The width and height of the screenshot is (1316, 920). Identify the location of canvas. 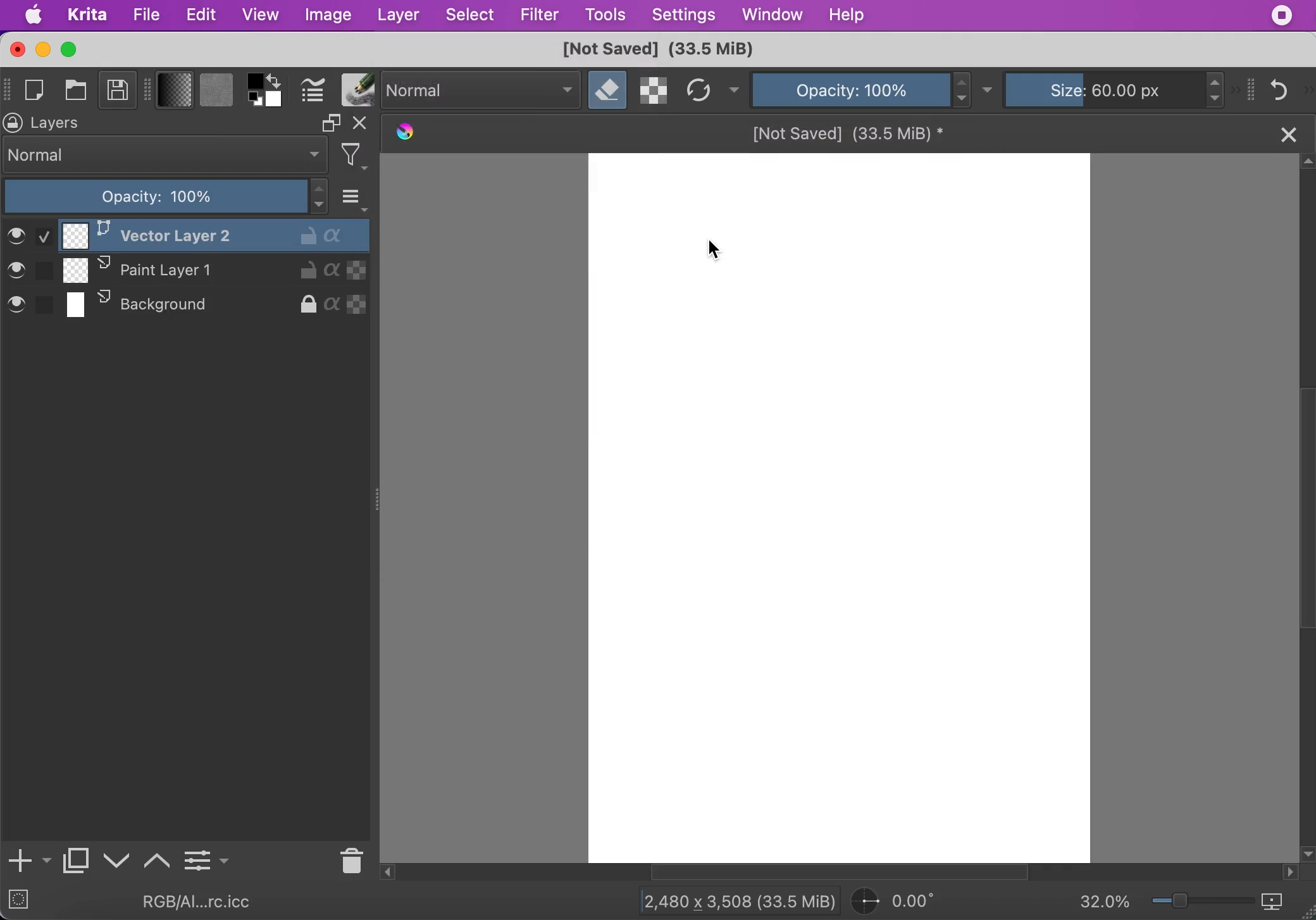
(835, 508).